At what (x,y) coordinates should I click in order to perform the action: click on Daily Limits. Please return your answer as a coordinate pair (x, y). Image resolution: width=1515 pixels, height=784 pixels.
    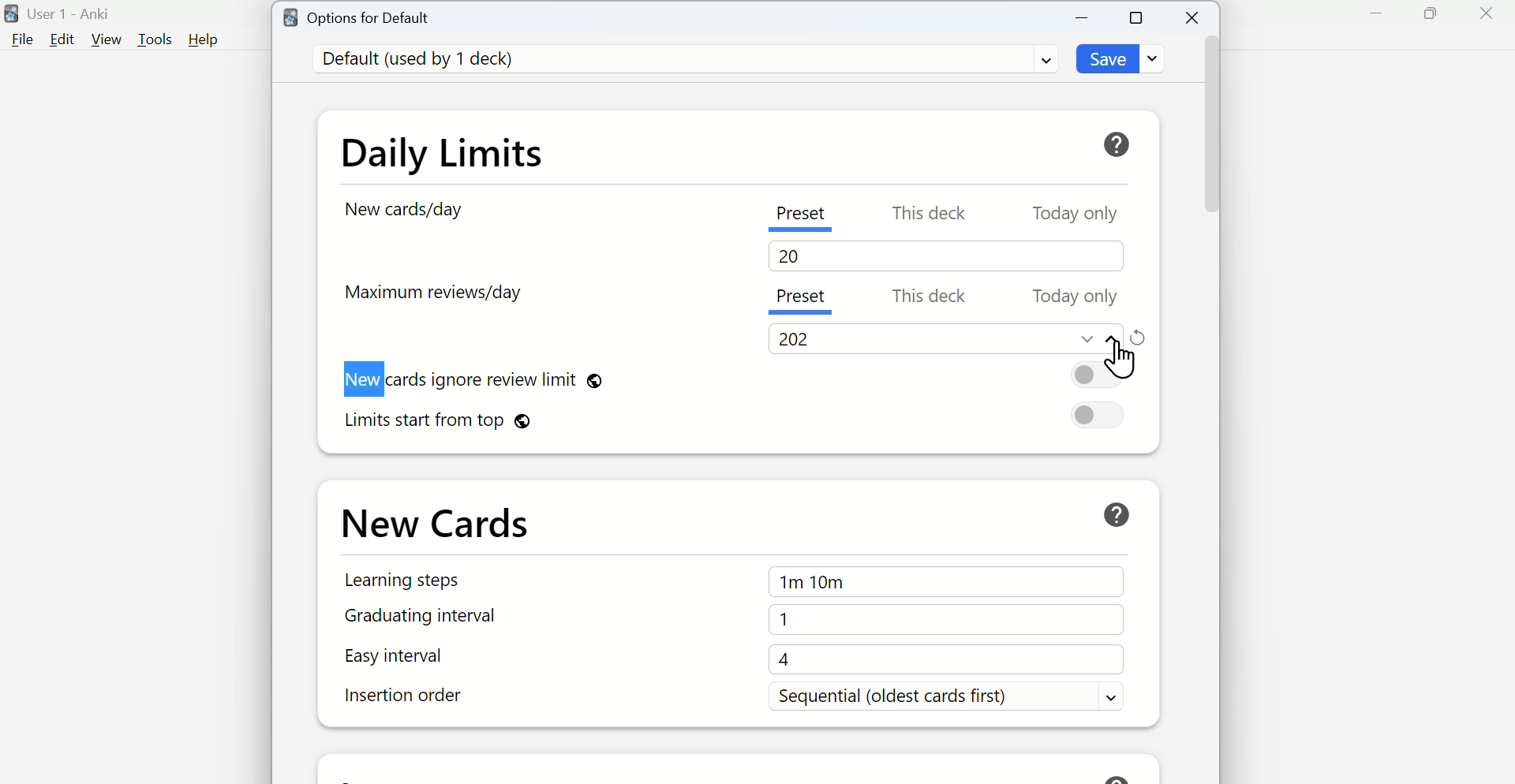
    Looking at the image, I should click on (443, 157).